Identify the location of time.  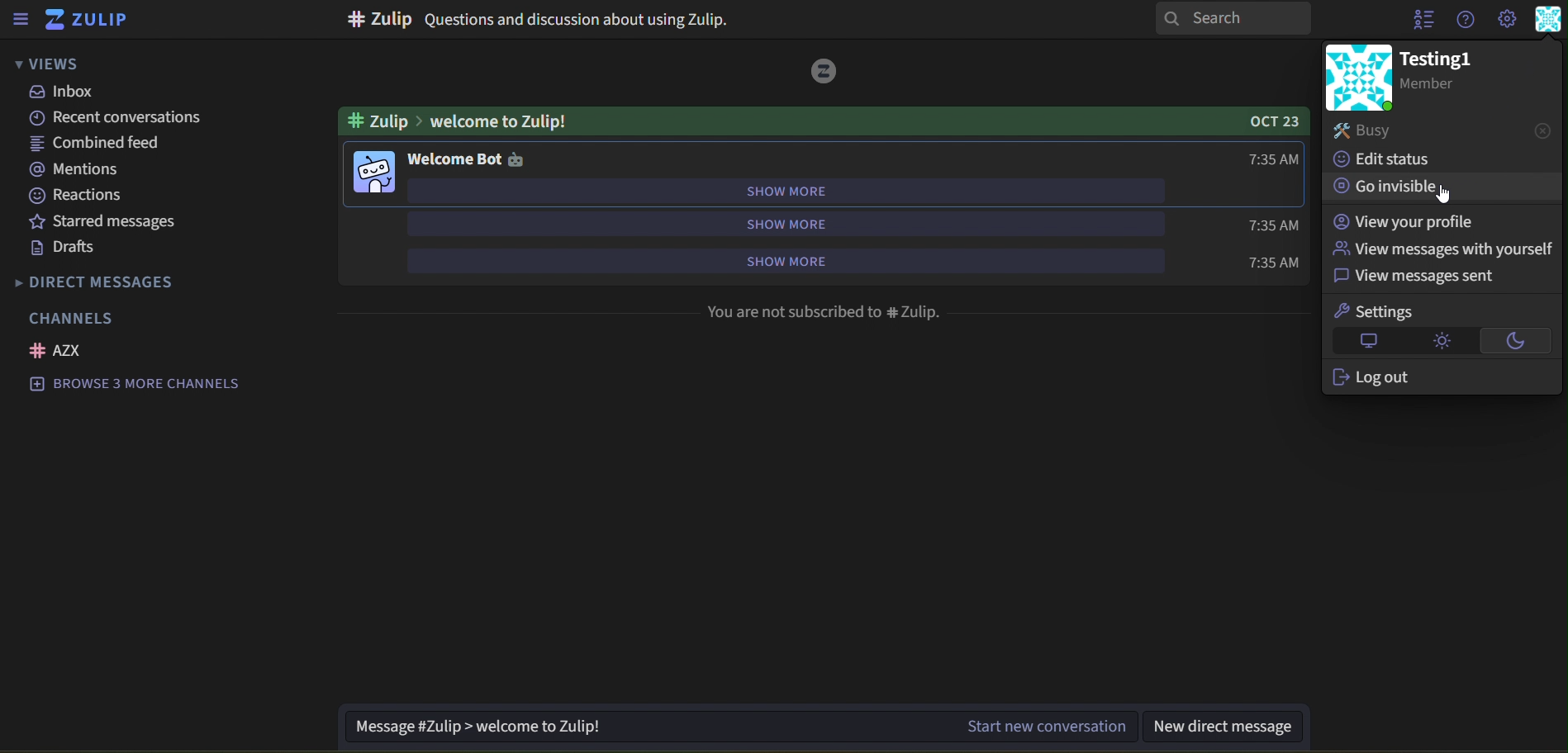
(1274, 159).